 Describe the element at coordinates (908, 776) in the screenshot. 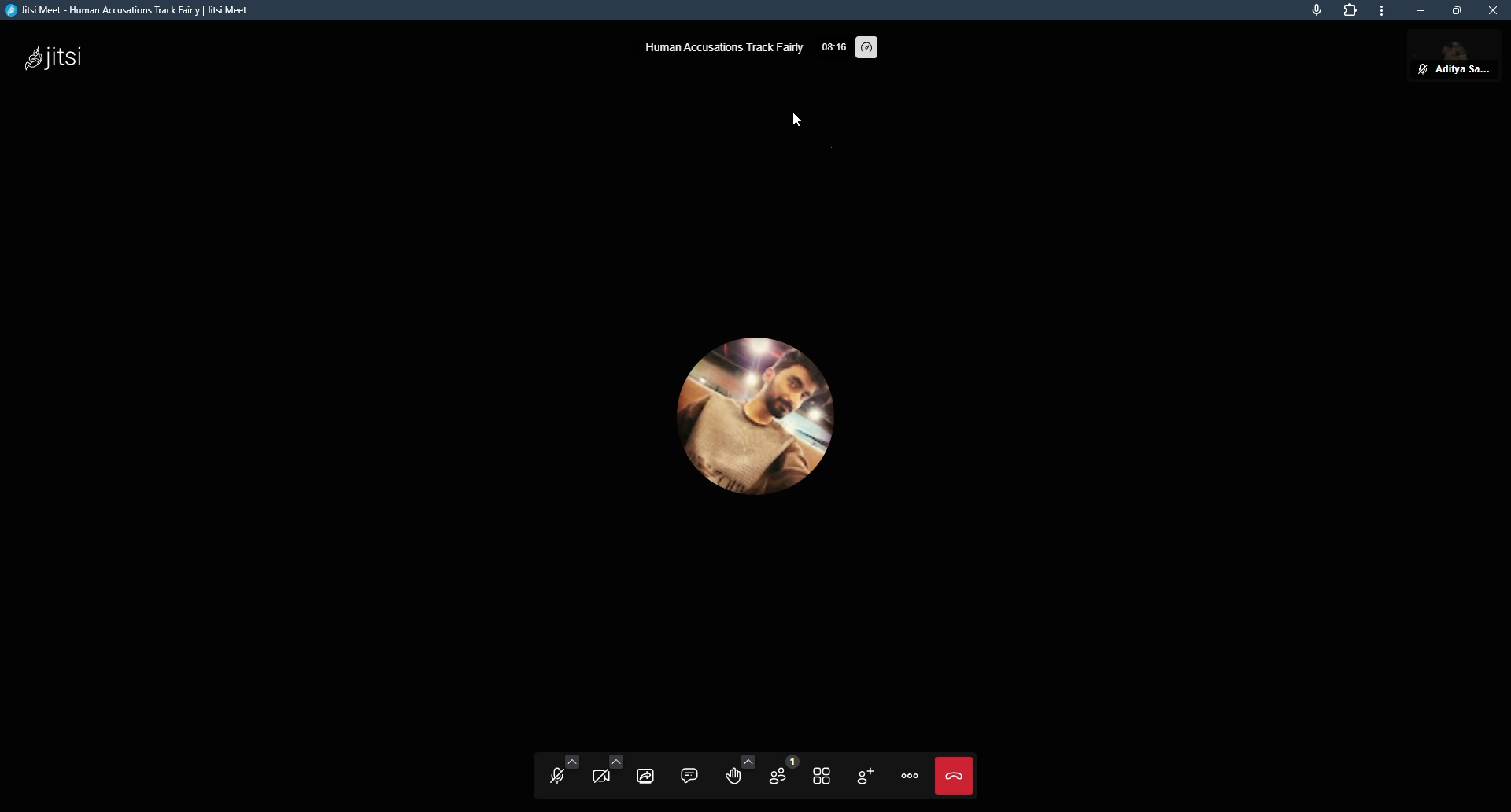

I see `options` at that location.